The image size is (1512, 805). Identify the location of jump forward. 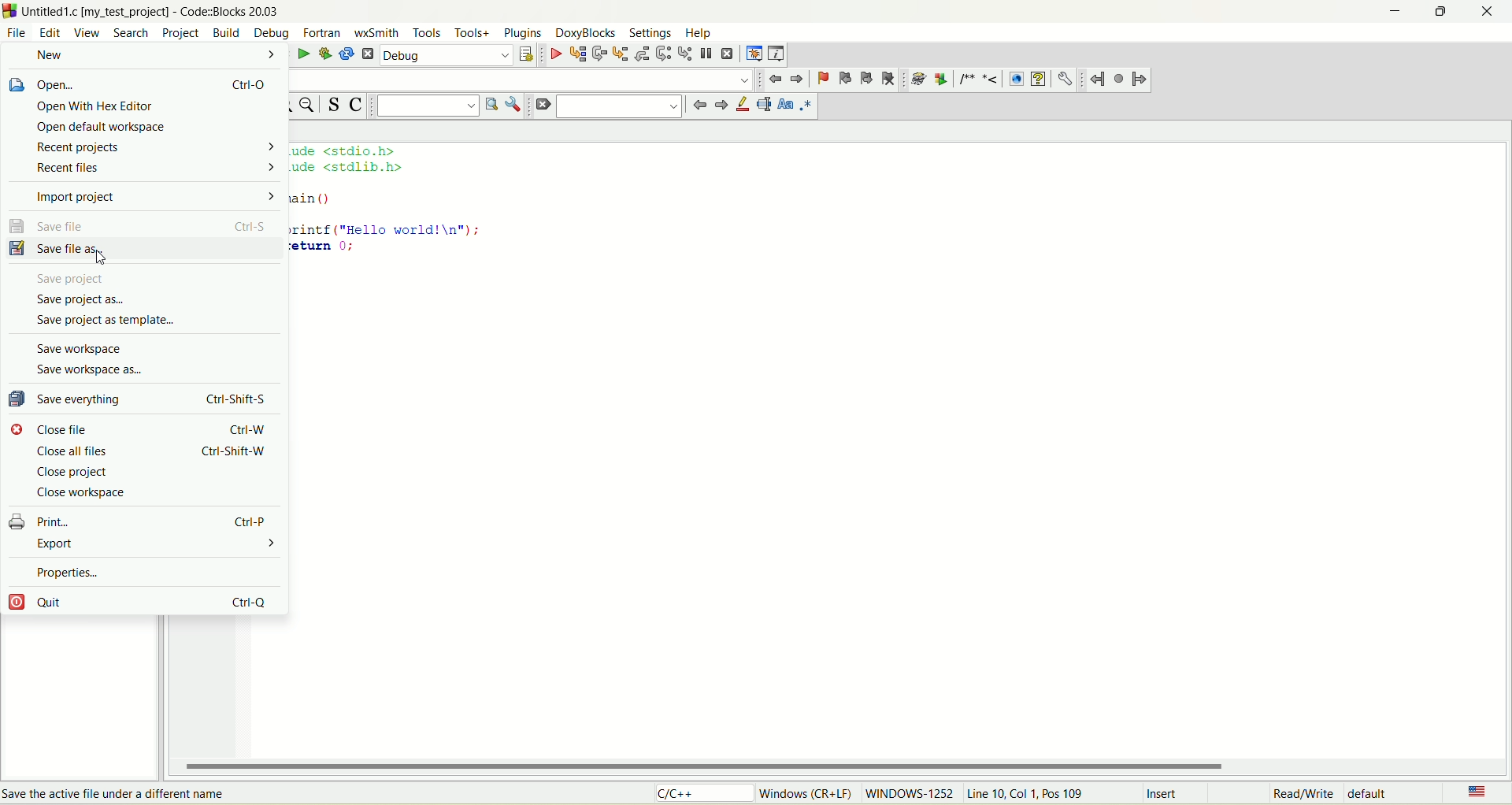
(1140, 81).